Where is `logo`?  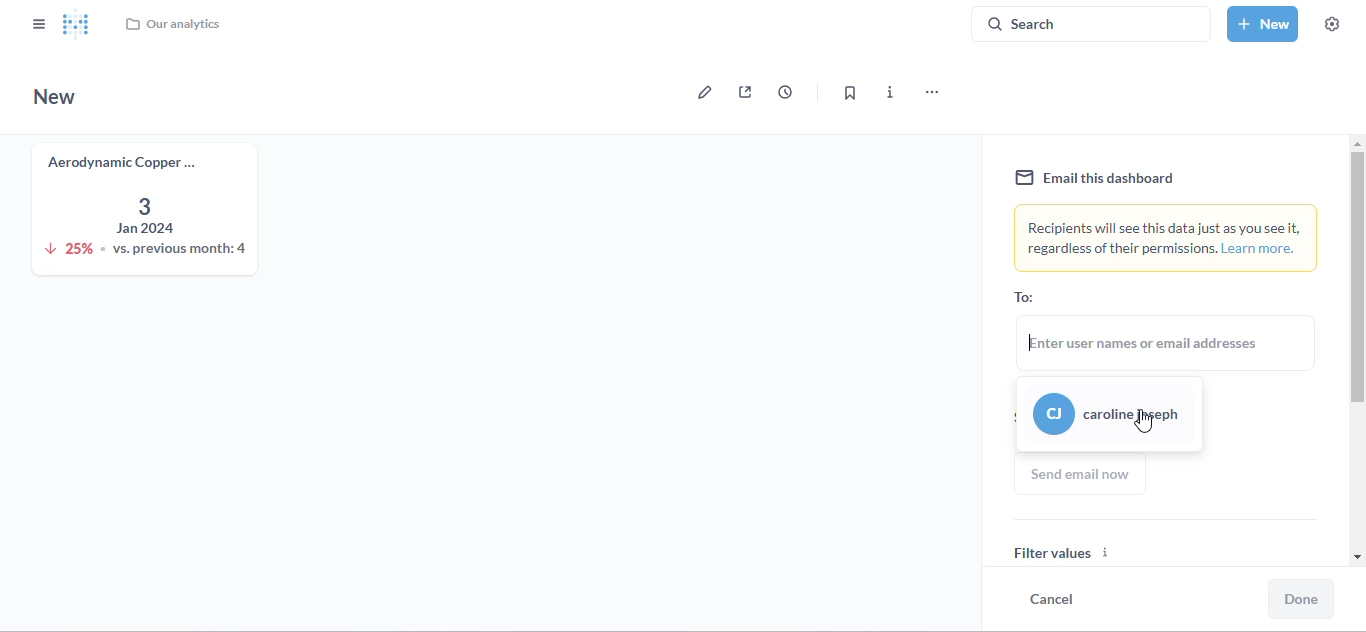
logo is located at coordinates (77, 23).